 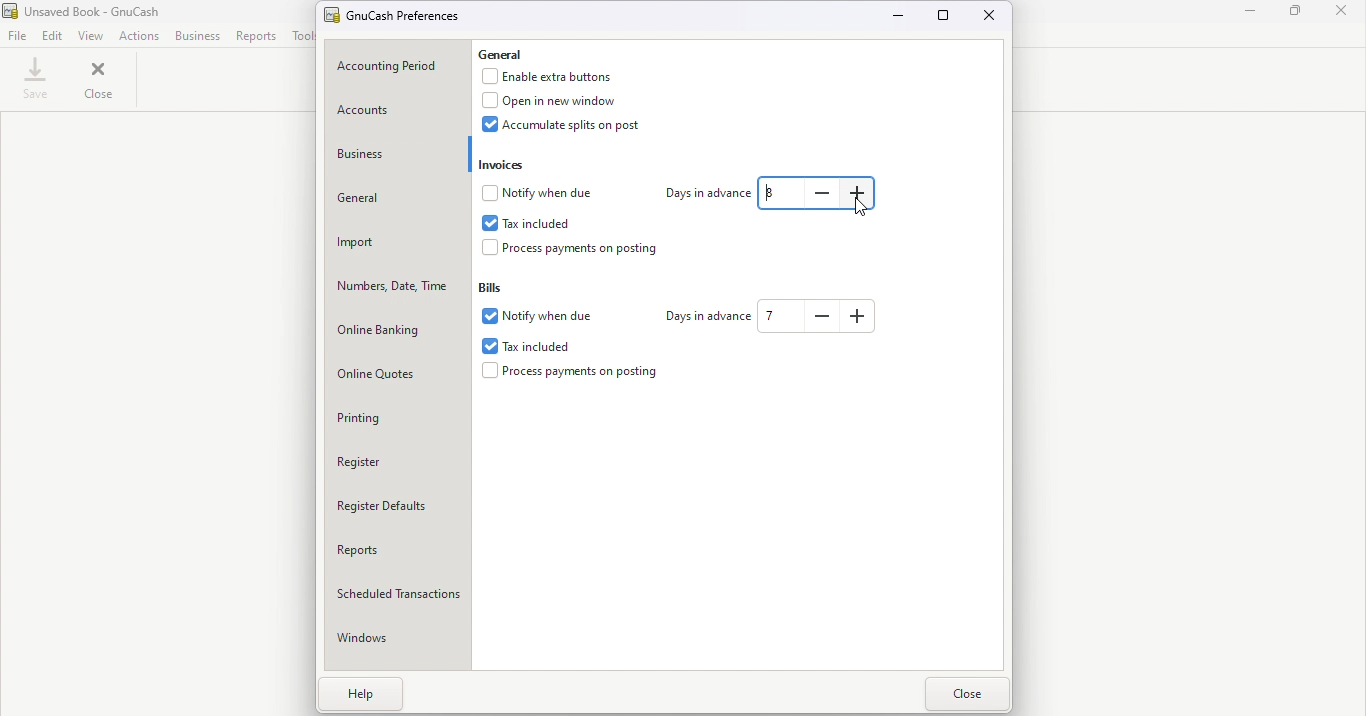 What do you see at coordinates (778, 317) in the screenshot?
I see `how many days in the future to warn about bills coming due` at bounding box center [778, 317].